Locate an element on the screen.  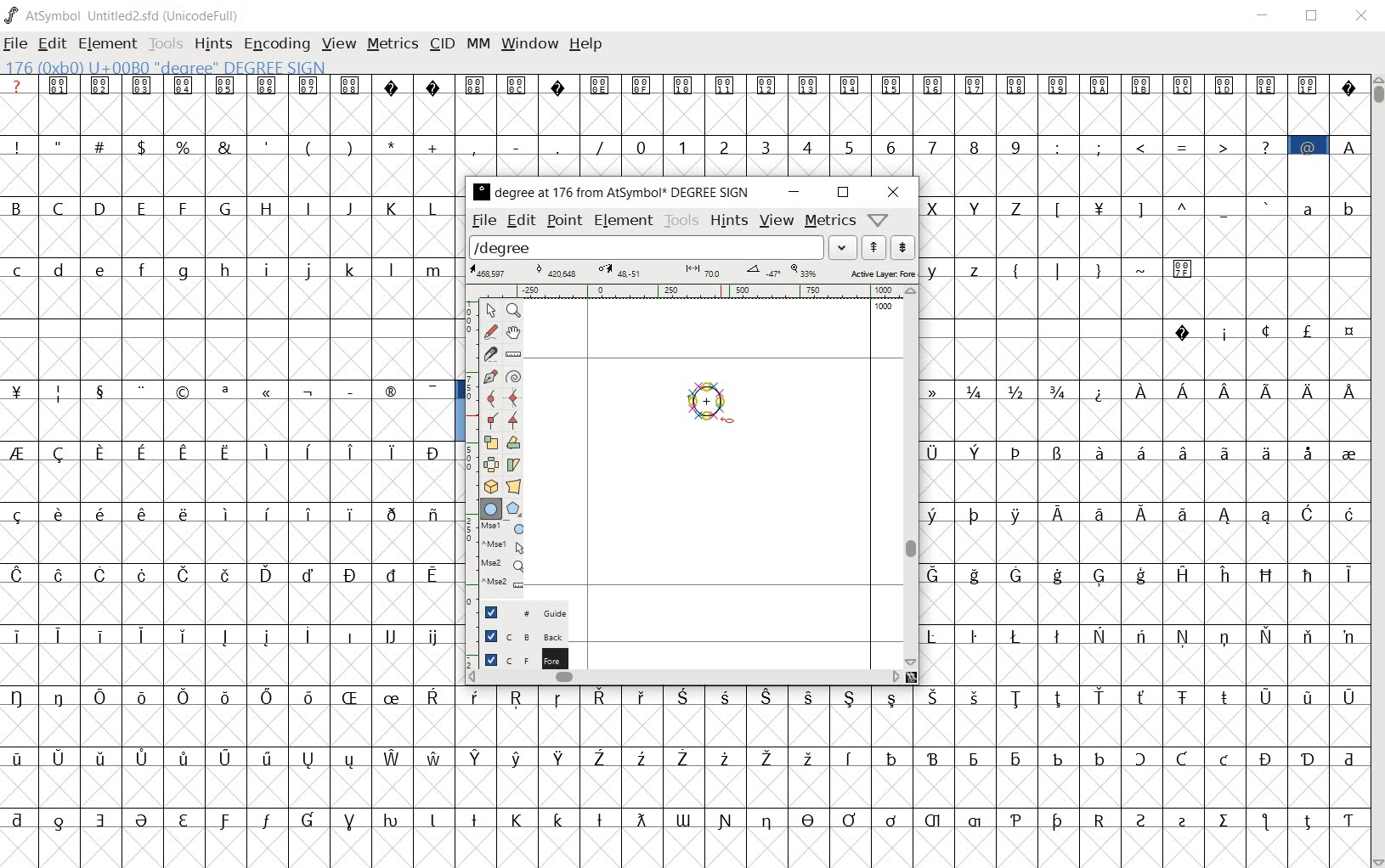
empty glyph slots is located at coordinates (1142, 300).